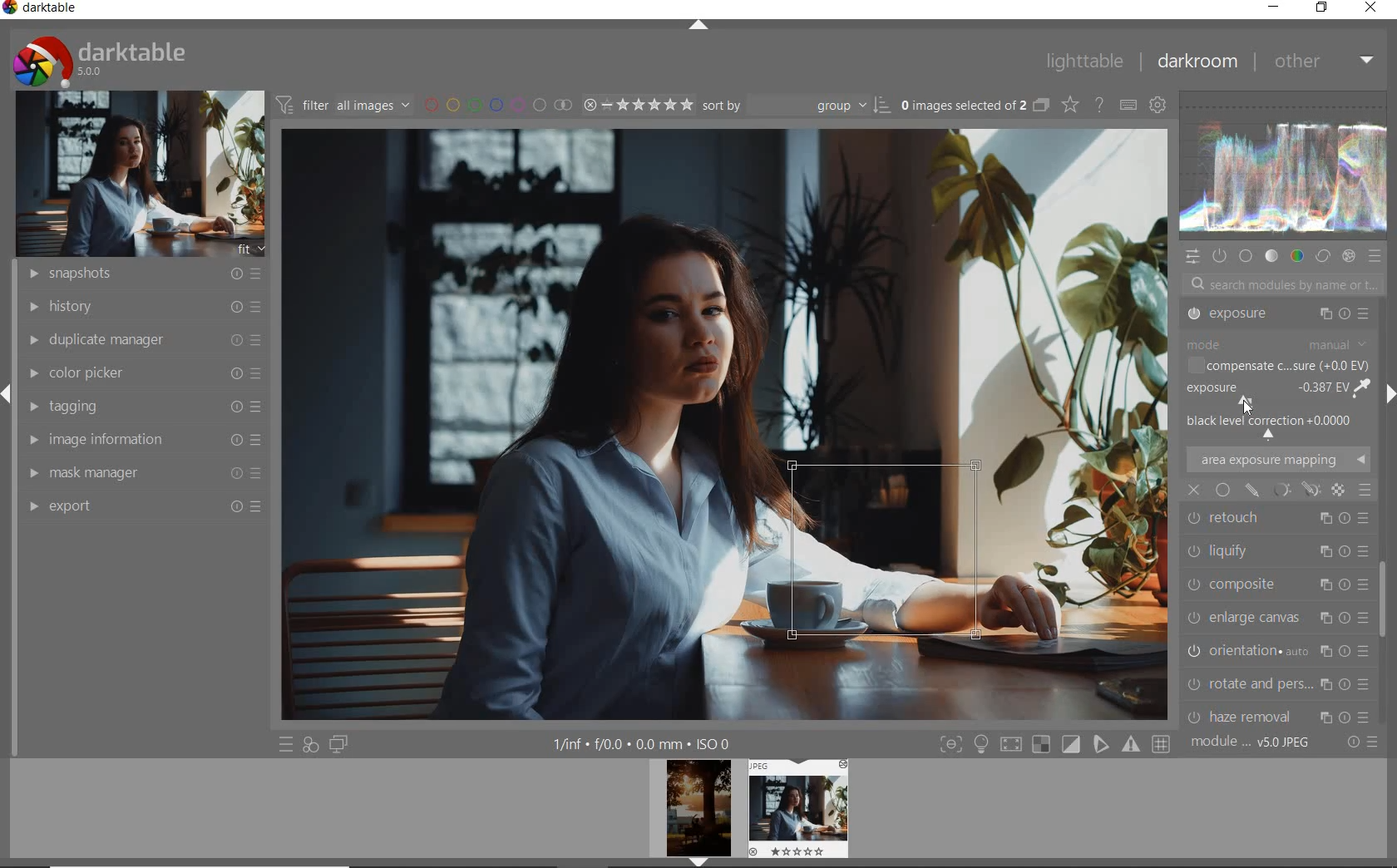  I want to click on DUPLICATE MANAGER, so click(141, 340).